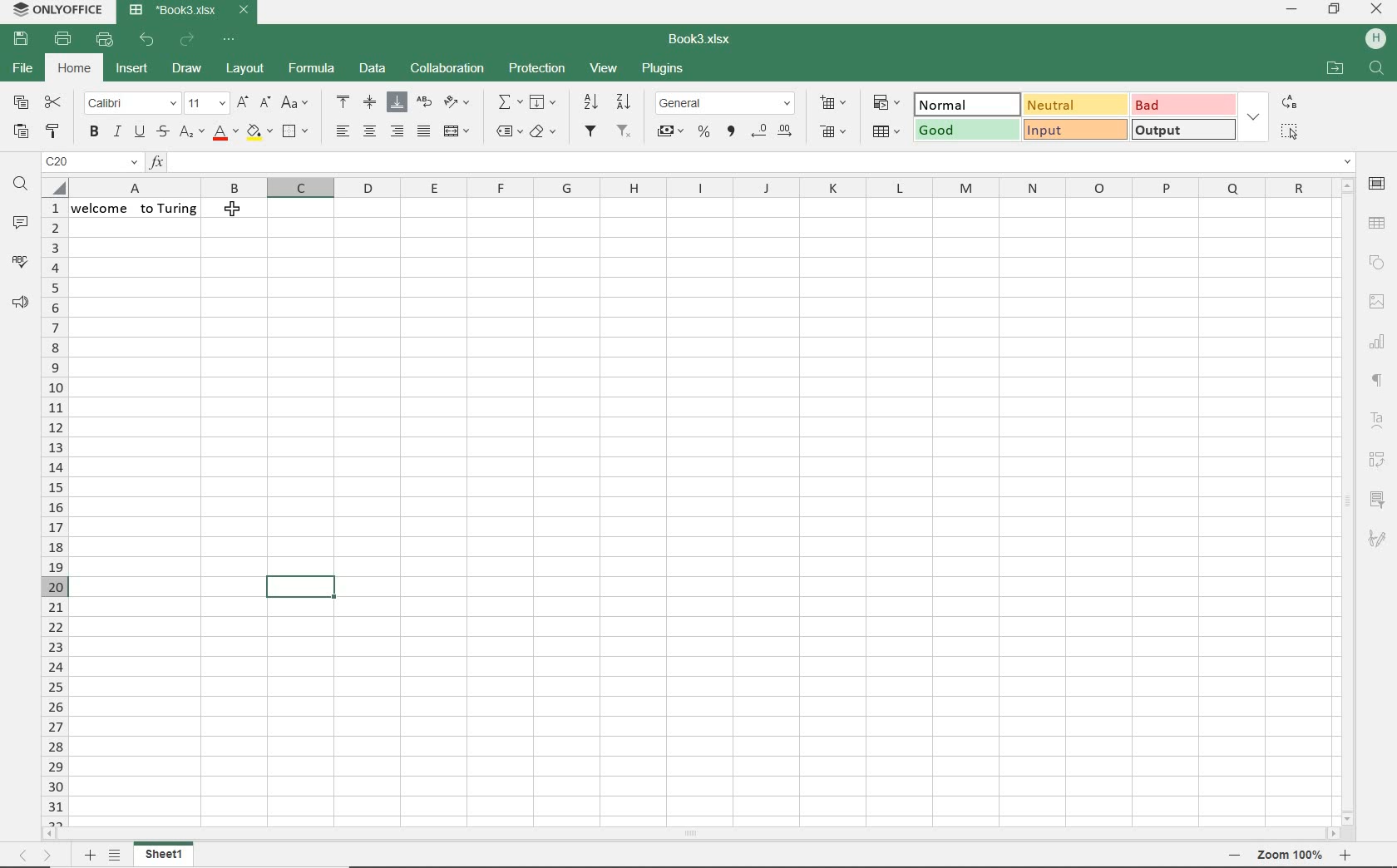 The height and width of the screenshot is (868, 1397). What do you see at coordinates (369, 131) in the screenshot?
I see `align center` at bounding box center [369, 131].